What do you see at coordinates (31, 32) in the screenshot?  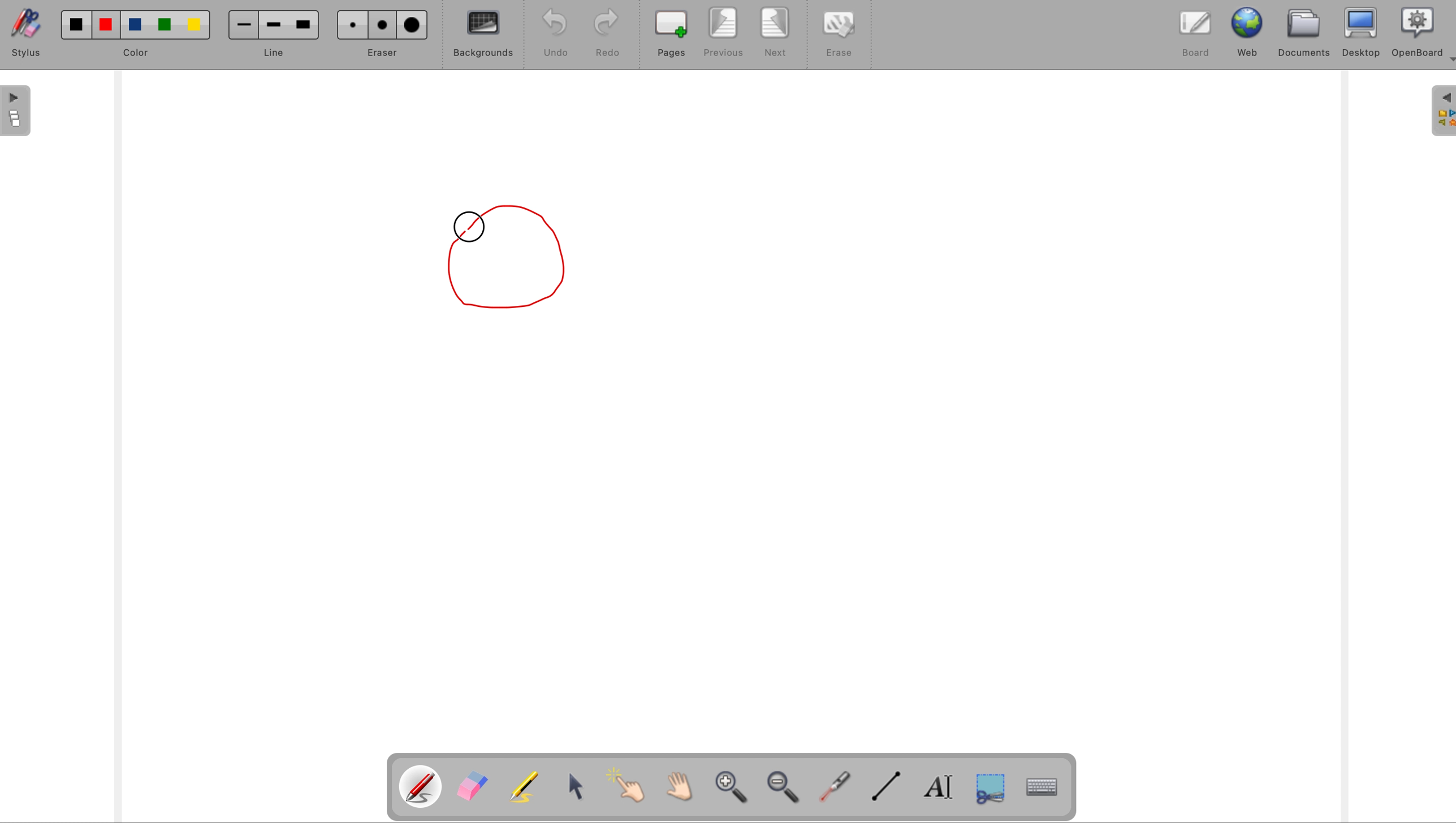 I see `stylus` at bounding box center [31, 32].